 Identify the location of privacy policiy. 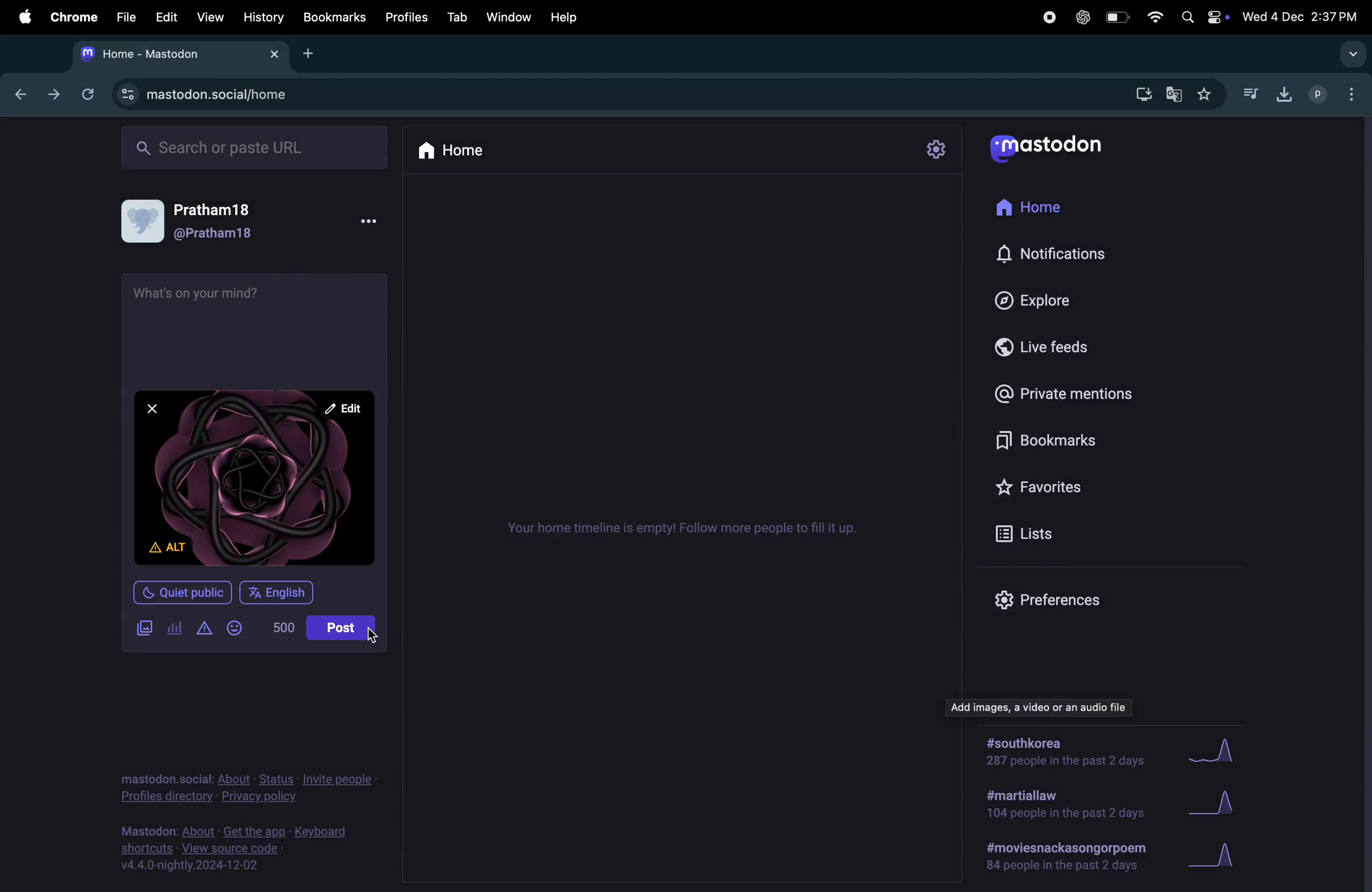
(250, 785).